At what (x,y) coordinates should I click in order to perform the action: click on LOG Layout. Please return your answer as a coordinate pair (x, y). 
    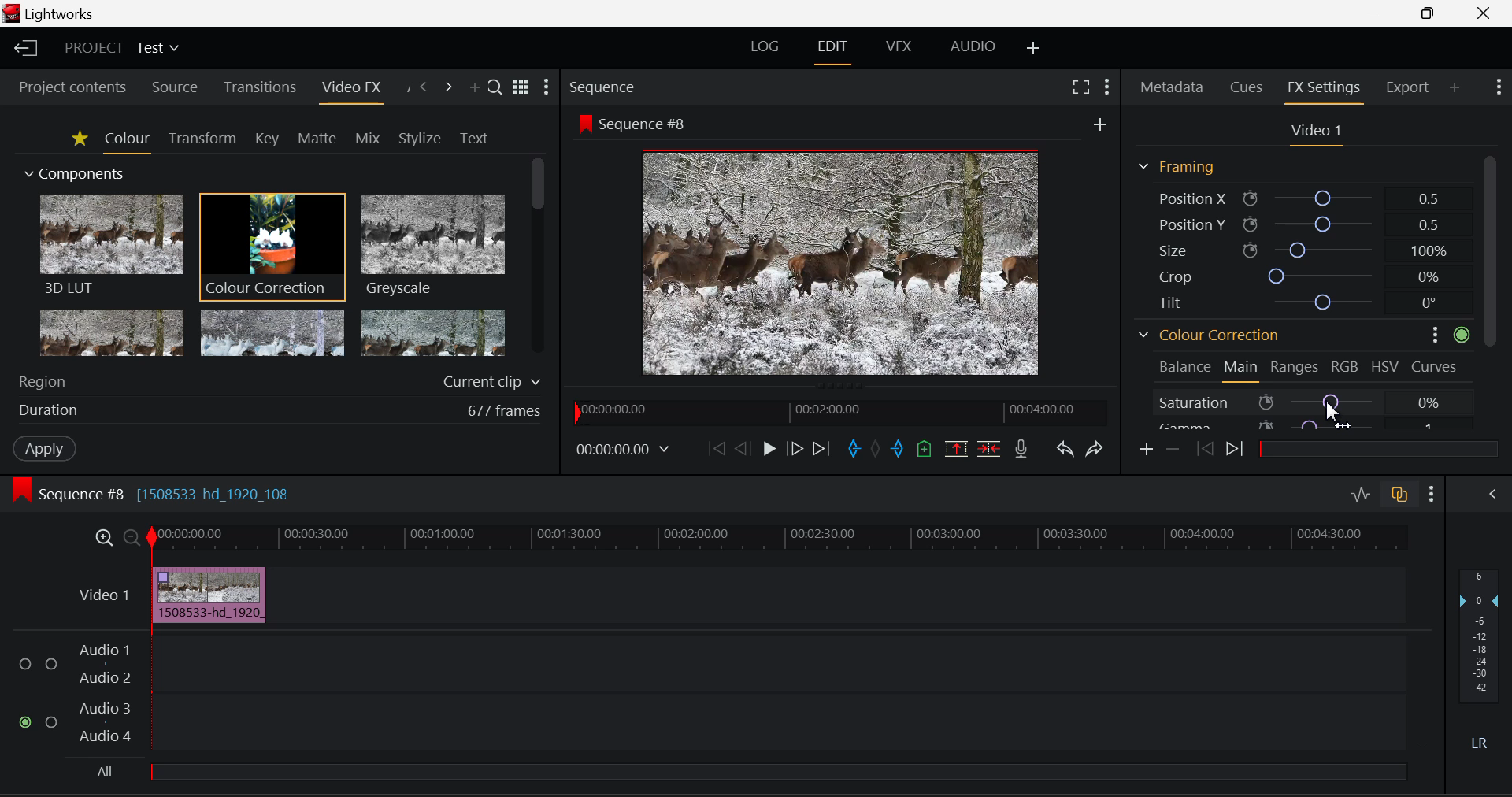
    Looking at the image, I should click on (767, 50).